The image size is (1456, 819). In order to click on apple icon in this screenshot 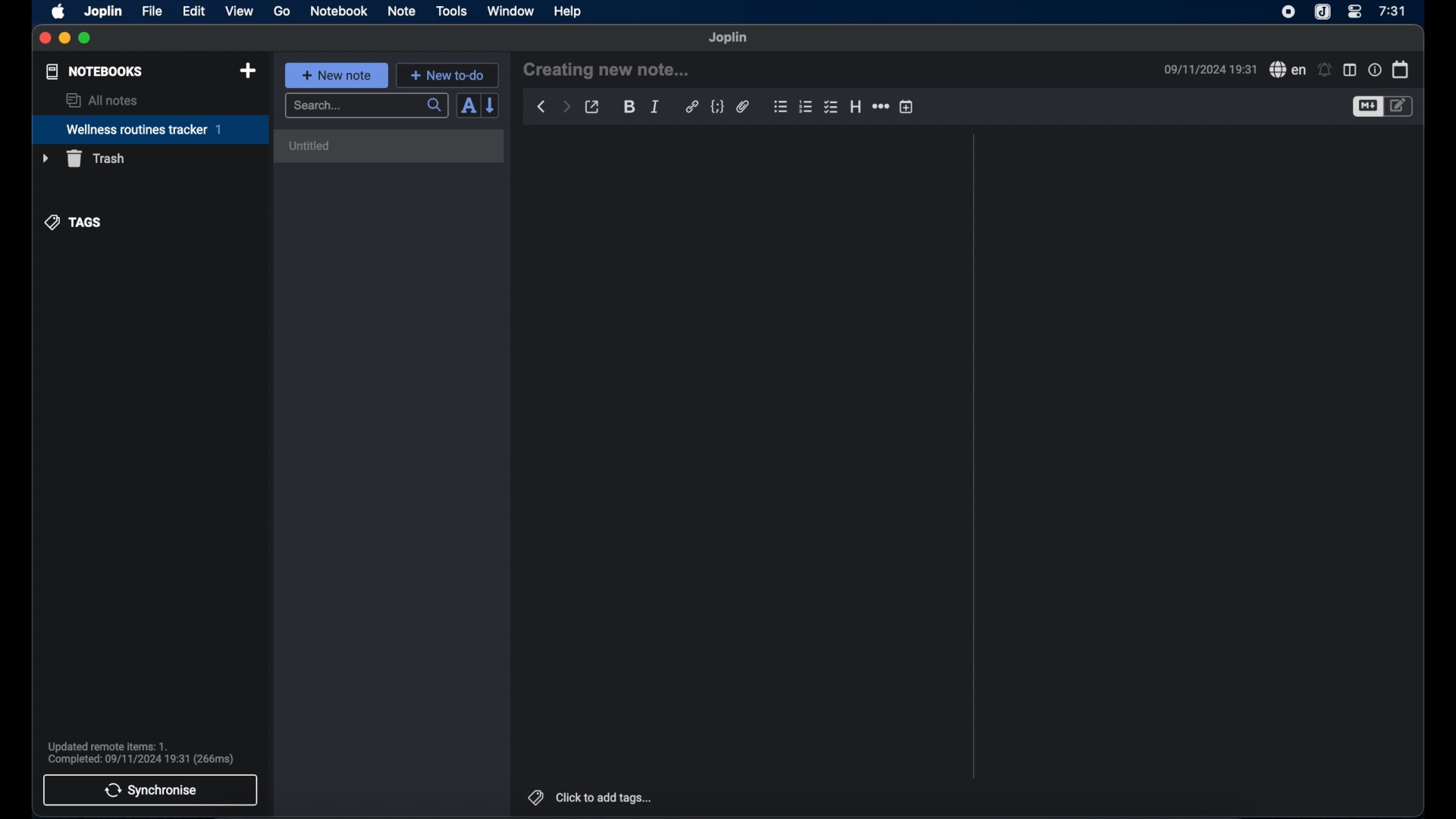, I will do `click(59, 12)`.